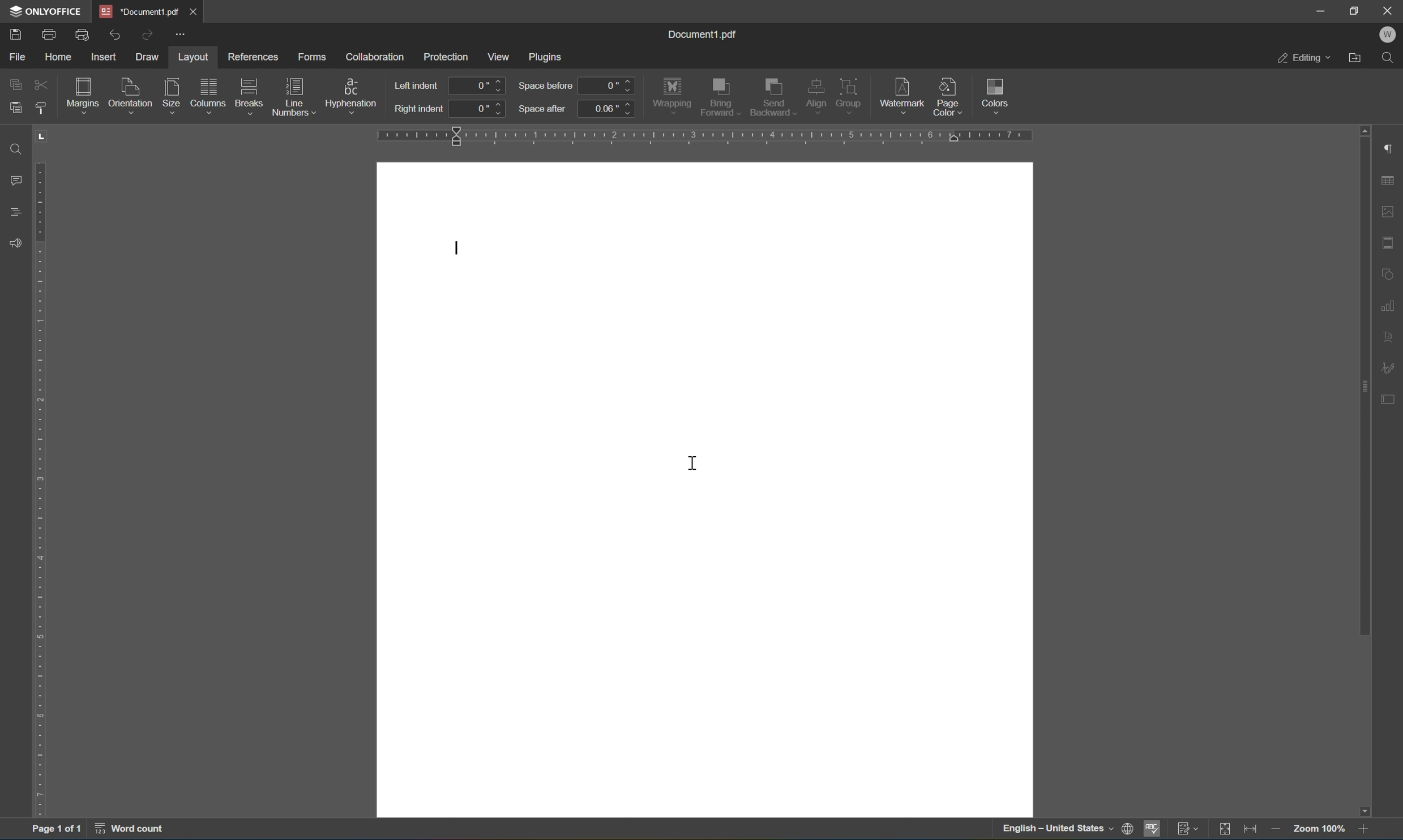  I want to click on scroll bar, so click(1361, 470).